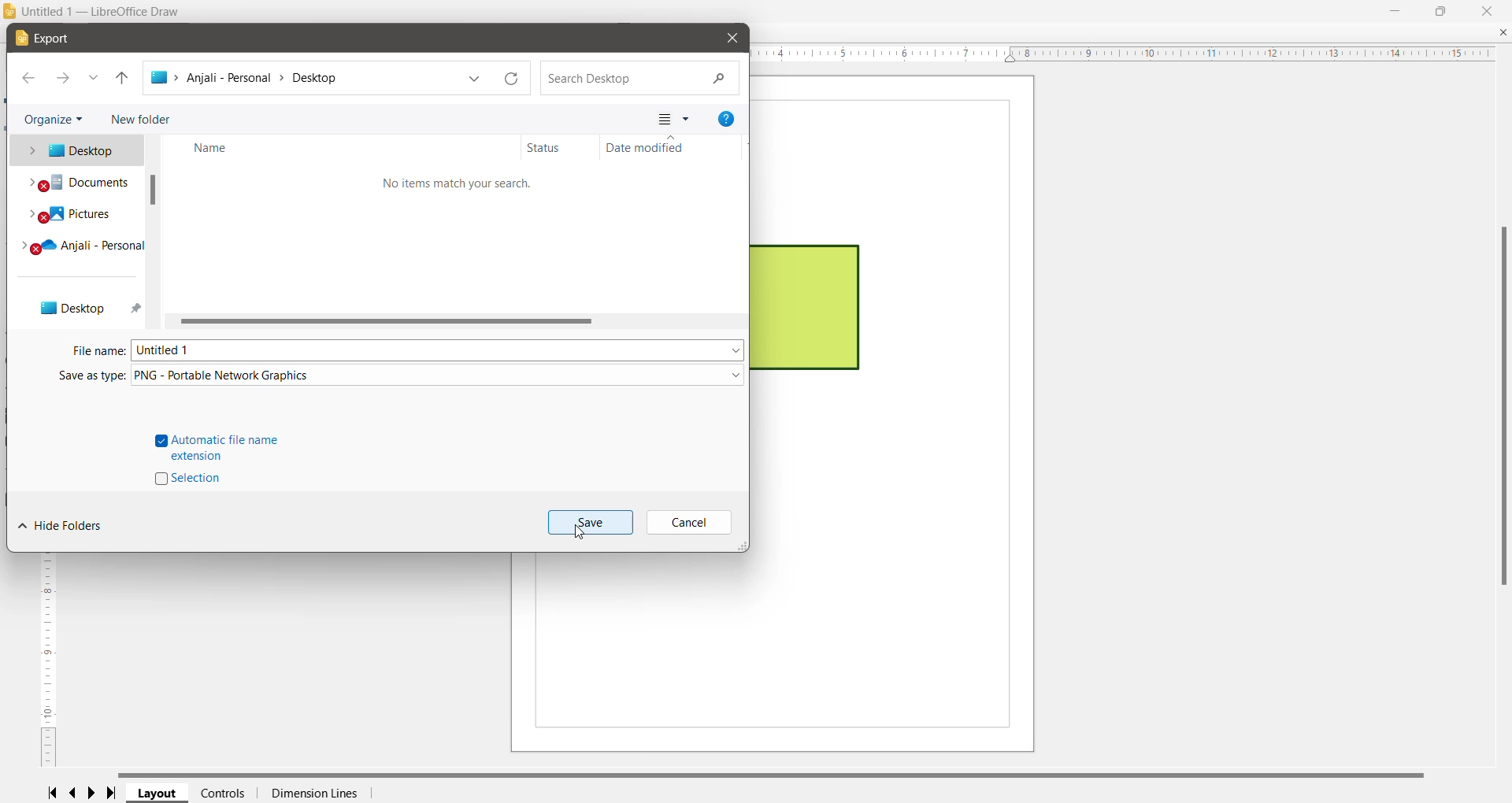 The image size is (1512, 803). Describe the element at coordinates (580, 532) in the screenshot. I see `Cursor` at that location.